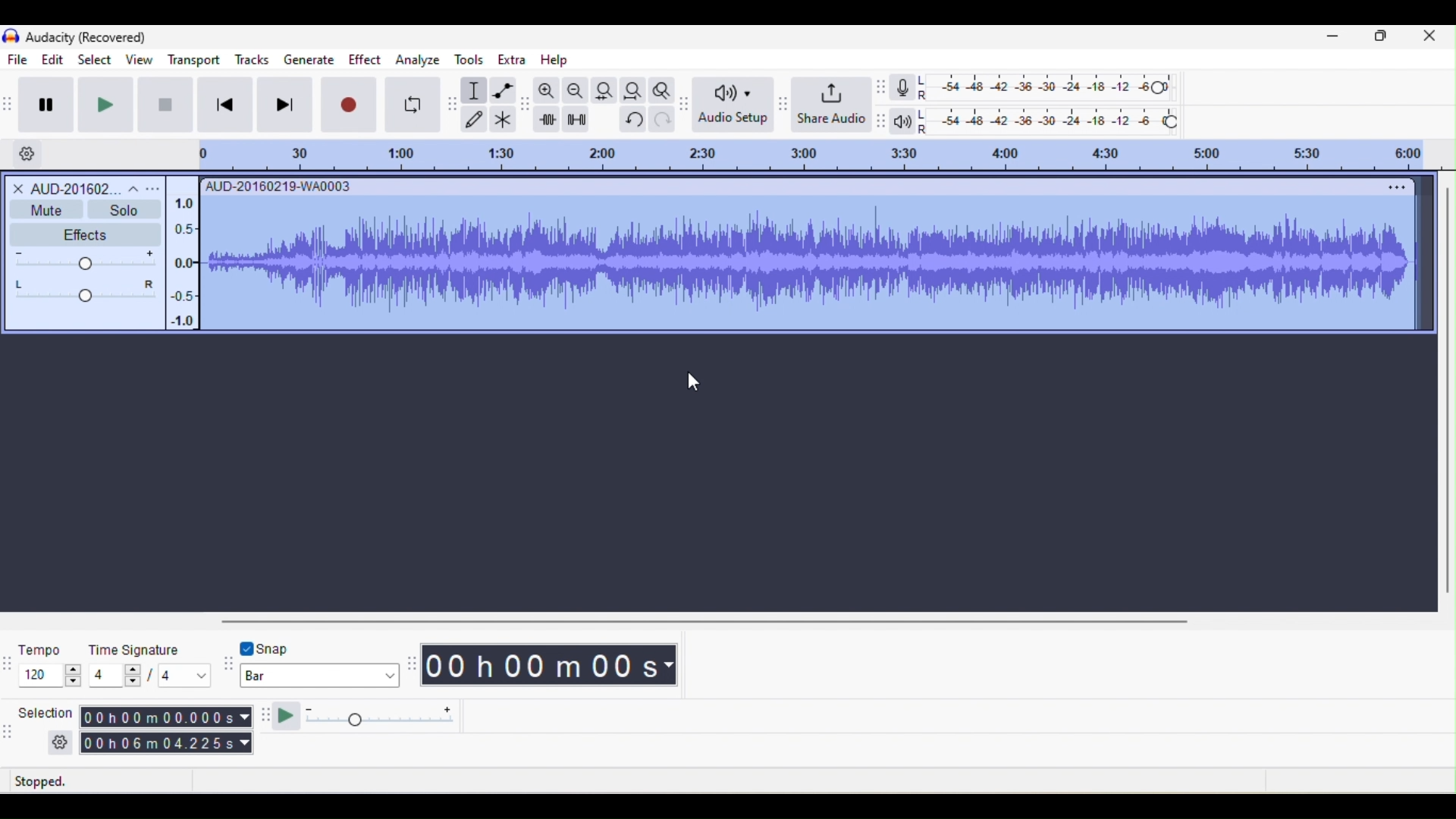  What do you see at coordinates (1335, 39) in the screenshot?
I see `minimize` at bounding box center [1335, 39].